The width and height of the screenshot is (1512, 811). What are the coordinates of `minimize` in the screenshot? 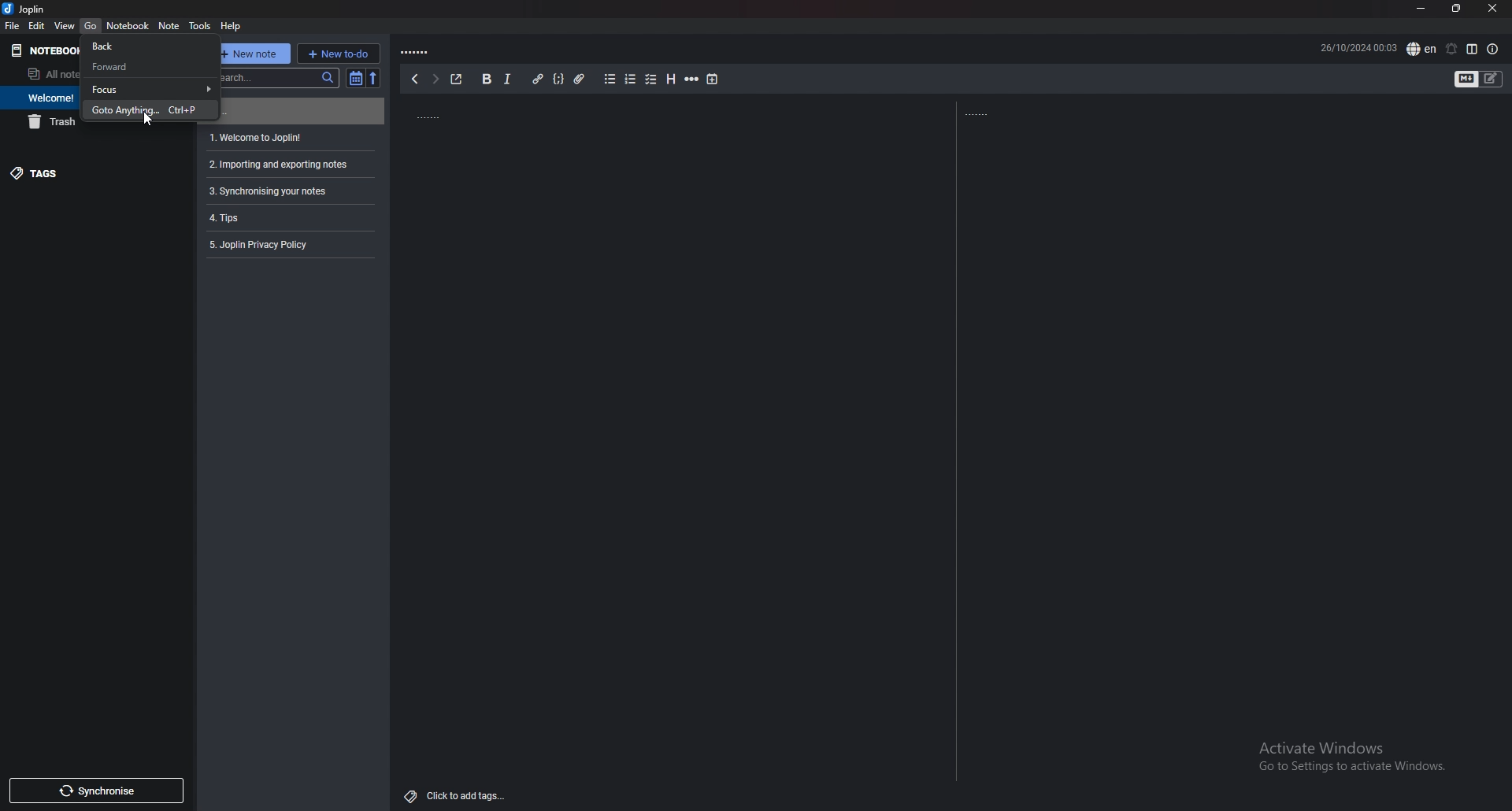 It's located at (1422, 9).